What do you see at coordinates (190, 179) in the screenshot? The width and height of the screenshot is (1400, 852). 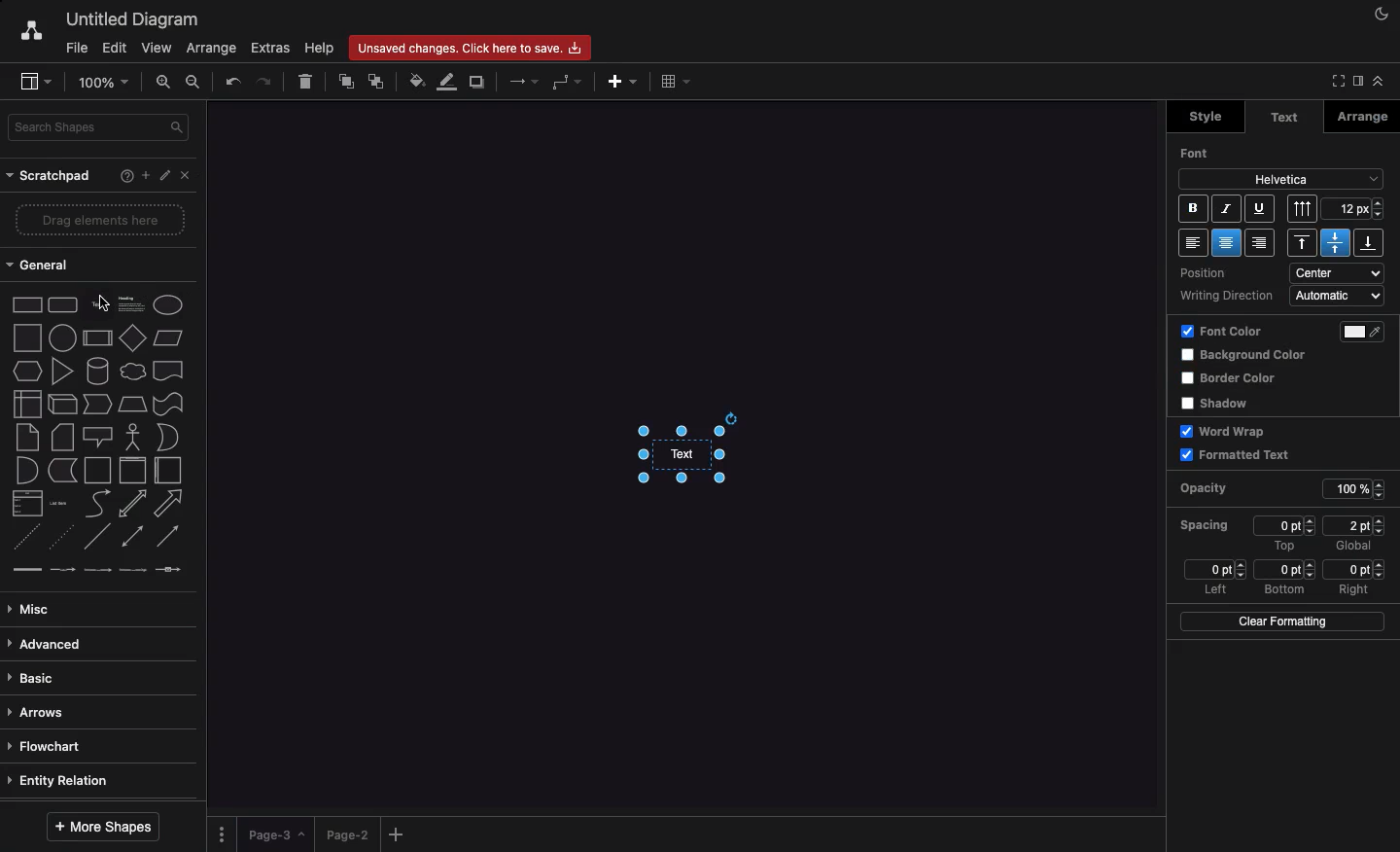 I see `Close` at bounding box center [190, 179].